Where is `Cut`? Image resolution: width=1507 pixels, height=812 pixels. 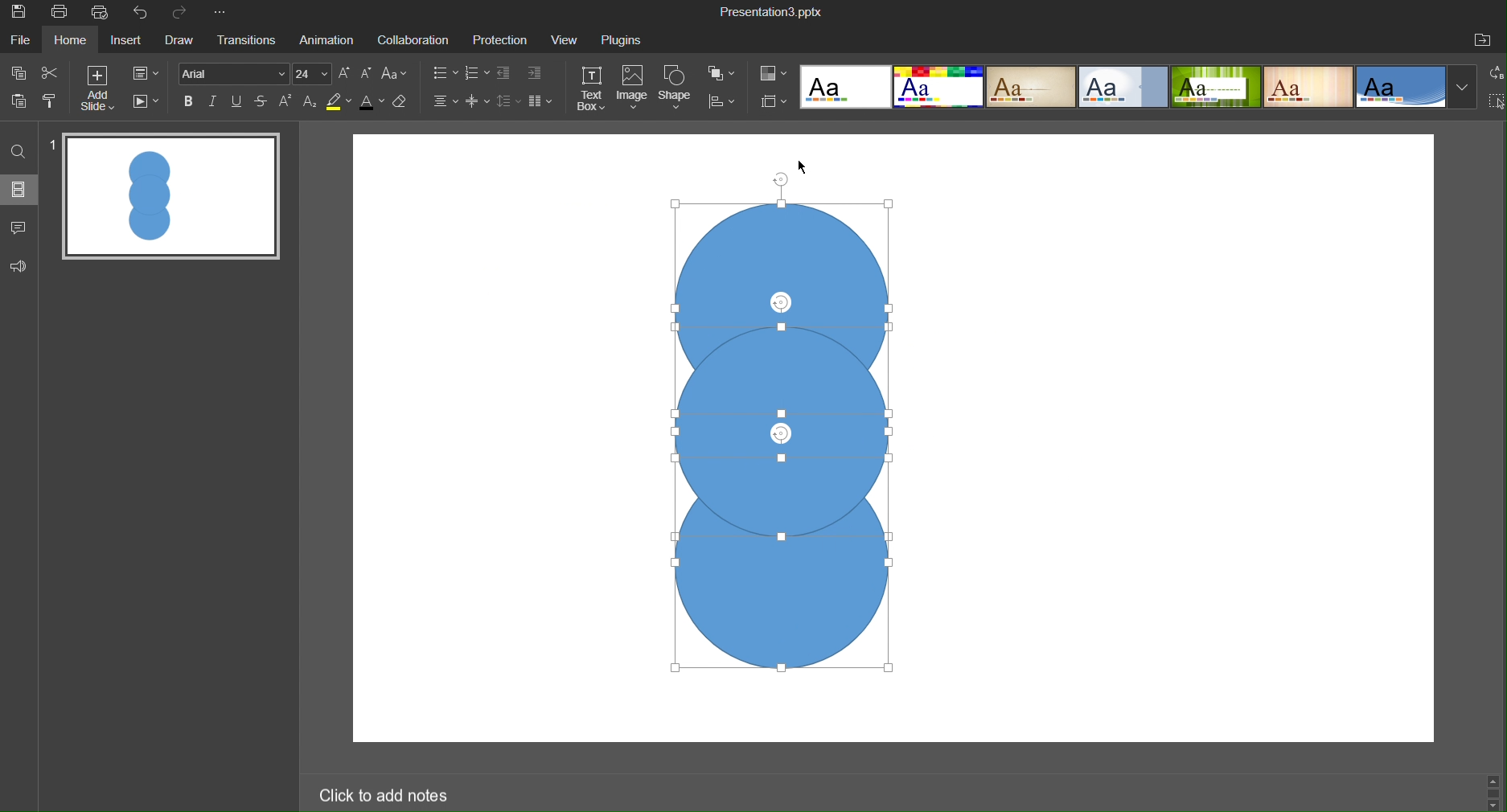
Cut is located at coordinates (59, 76).